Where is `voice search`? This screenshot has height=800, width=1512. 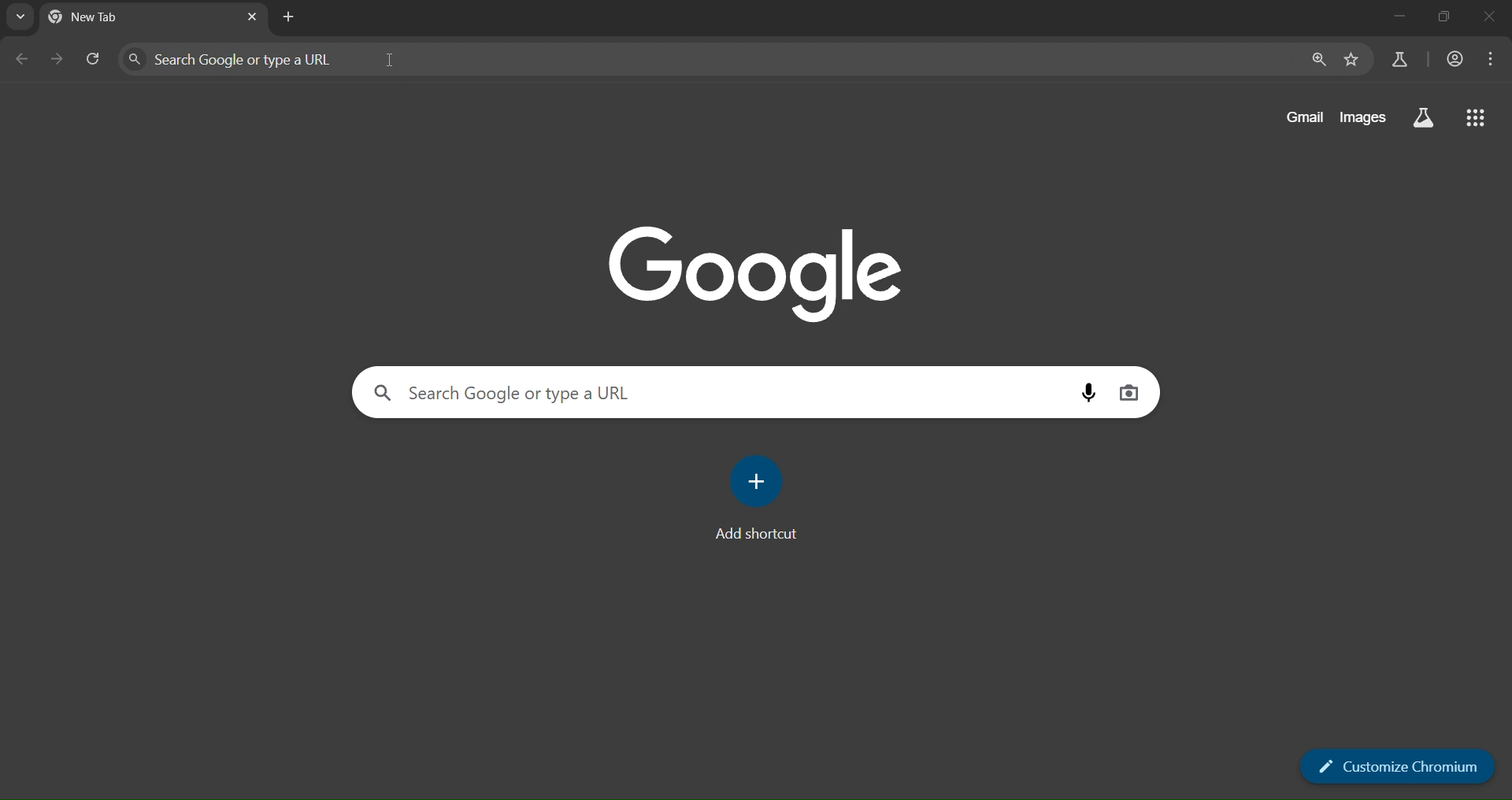 voice search is located at coordinates (1093, 391).